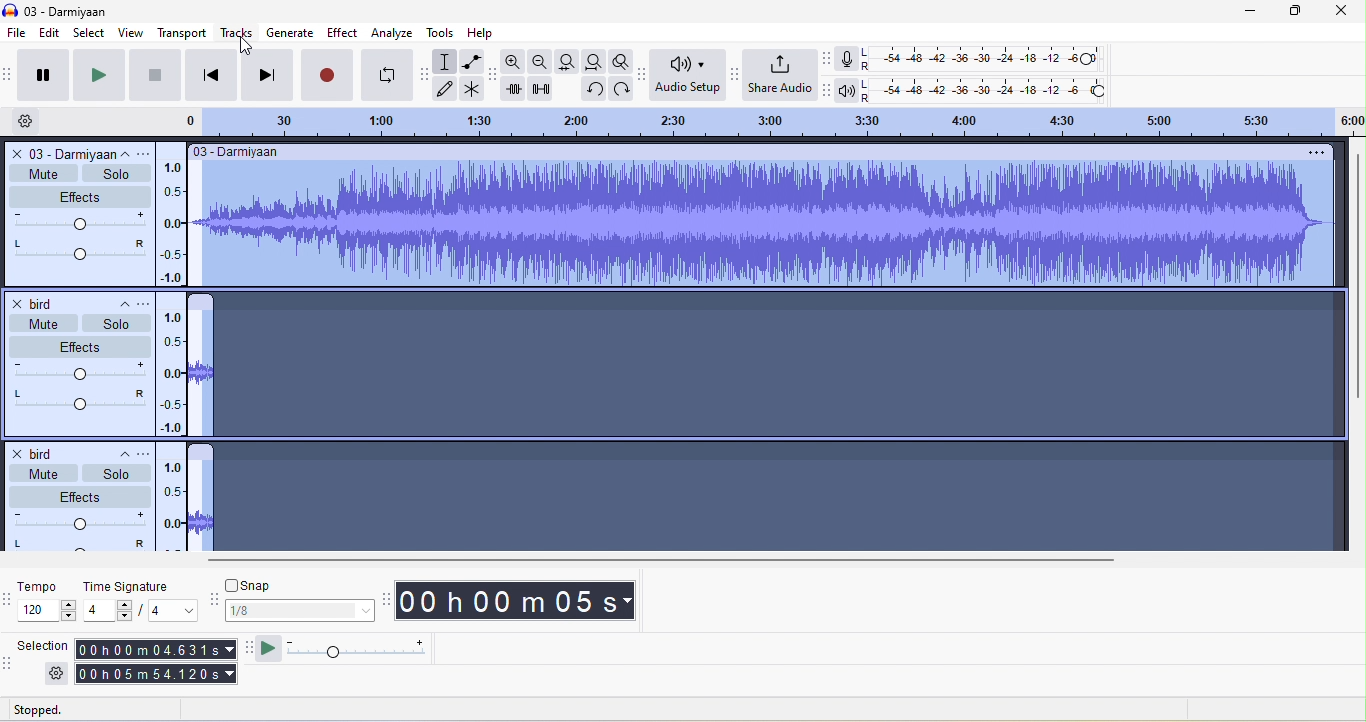 The height and width of the screenshot is (722, 1366). I want to click on play at speed, so click(363, 649).